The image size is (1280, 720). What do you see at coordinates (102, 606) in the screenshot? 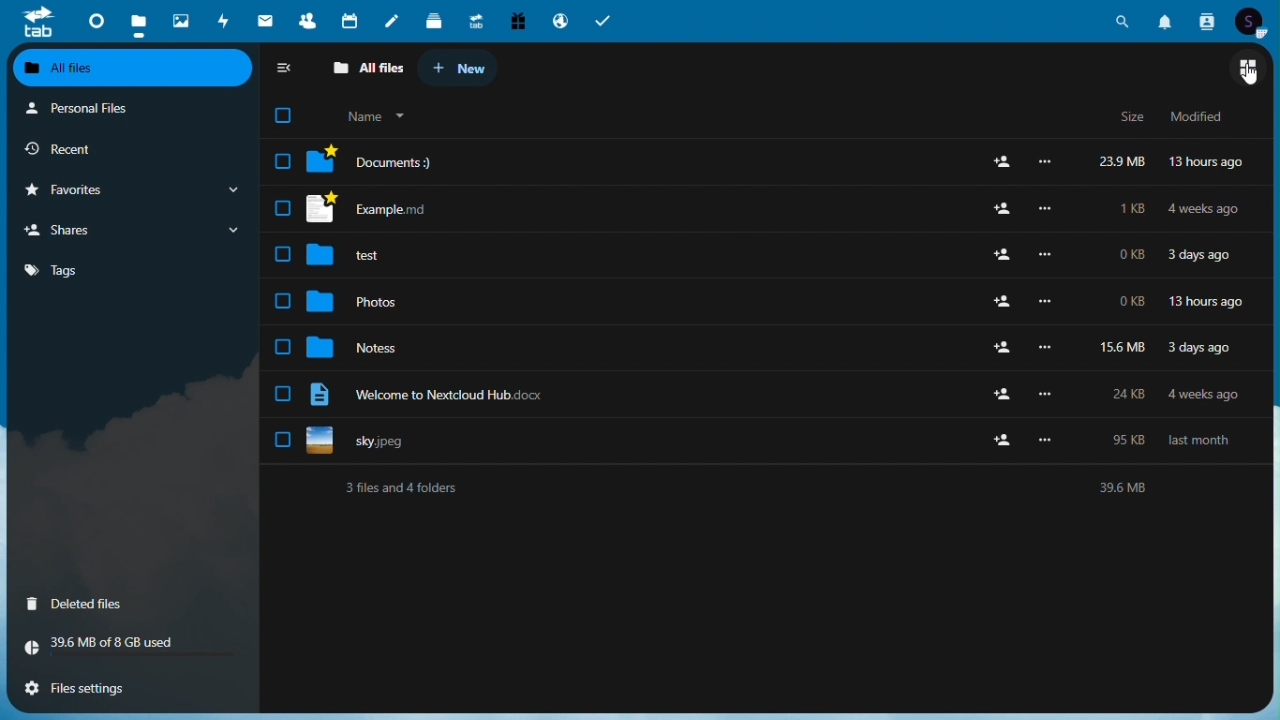
I see `deleted files` at bounding box center [102, 606].